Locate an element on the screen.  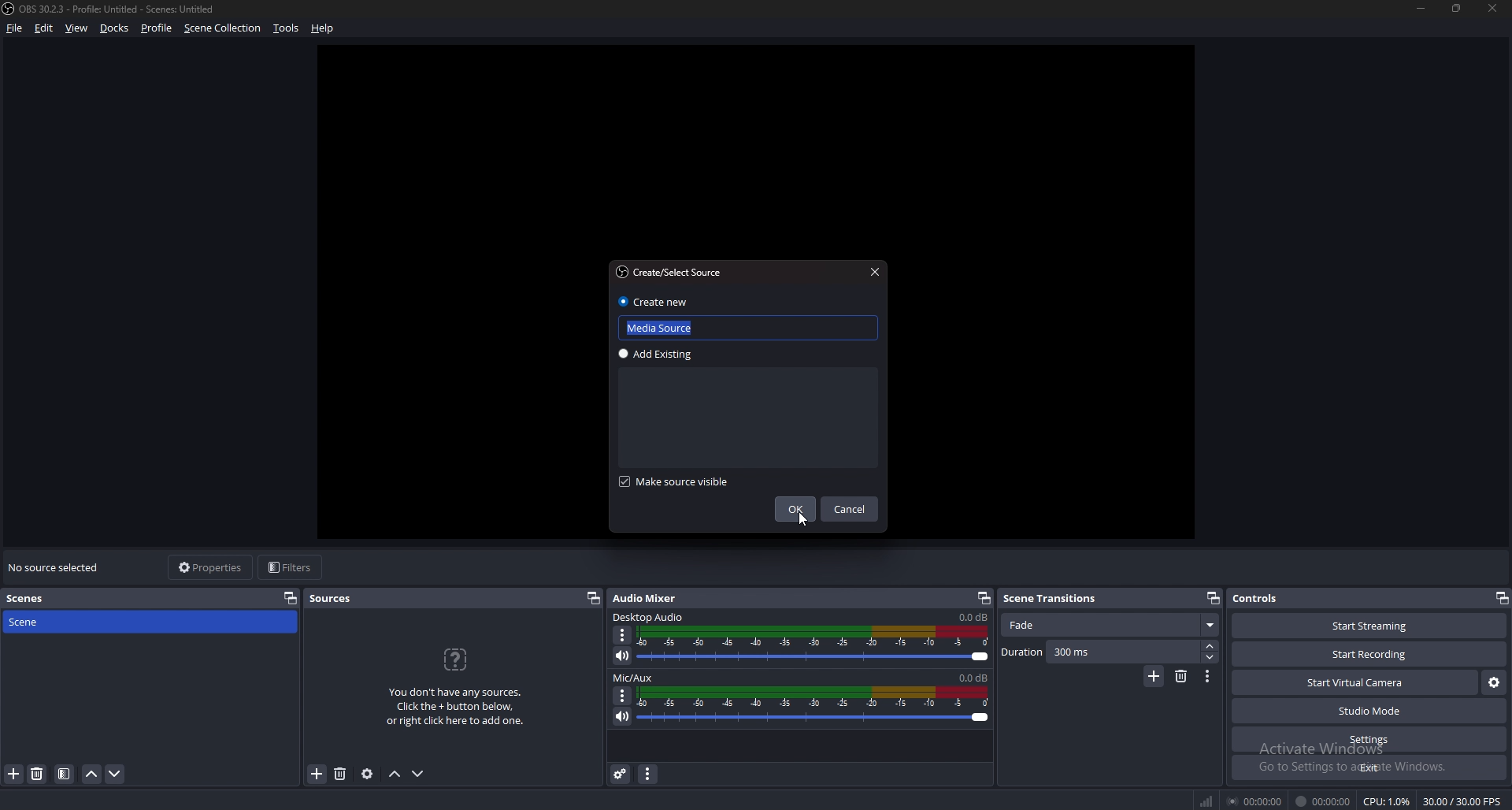
Audio soundbar is located at coordinates (813, 645).